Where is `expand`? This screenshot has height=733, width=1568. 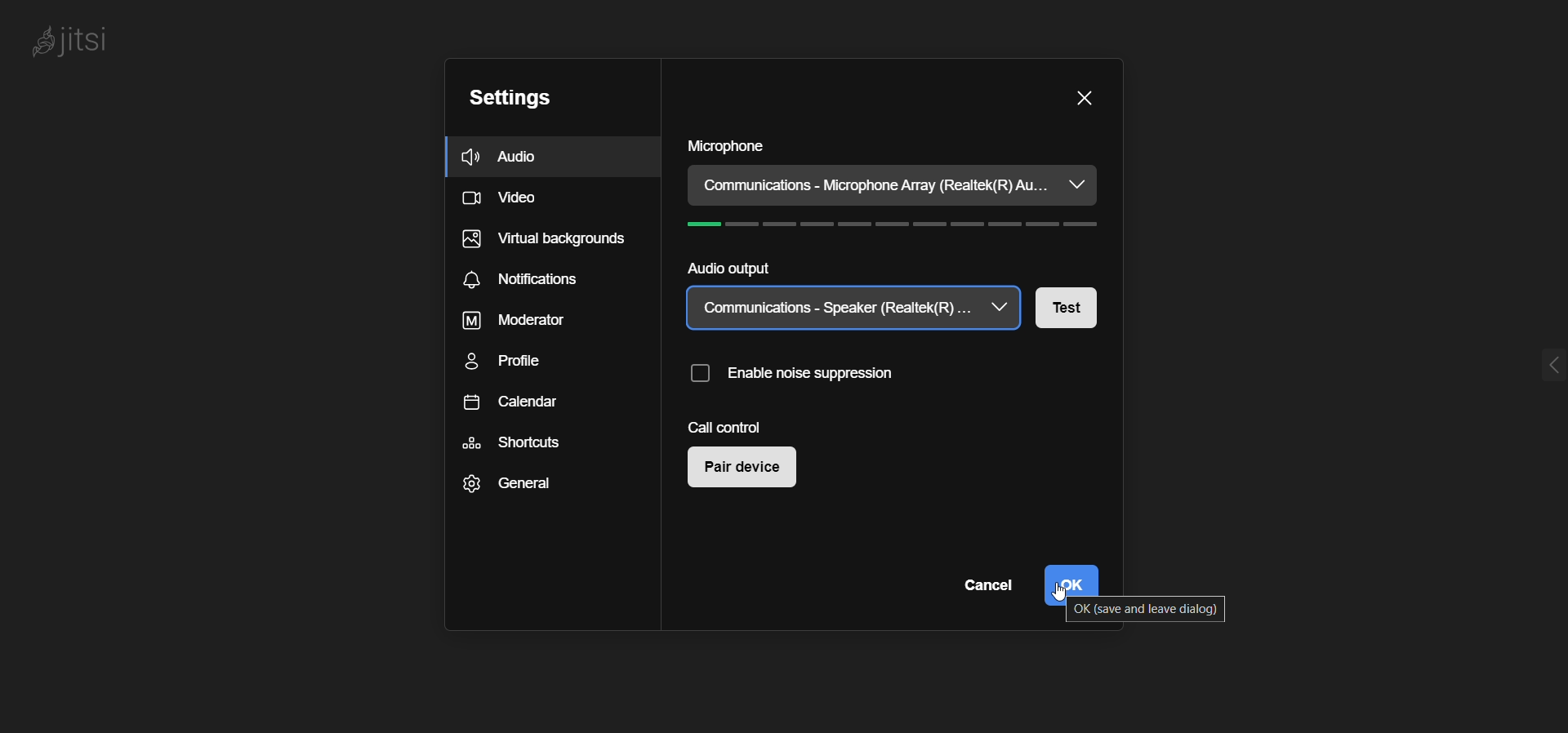 expand is located at coordinates (1548, 366).